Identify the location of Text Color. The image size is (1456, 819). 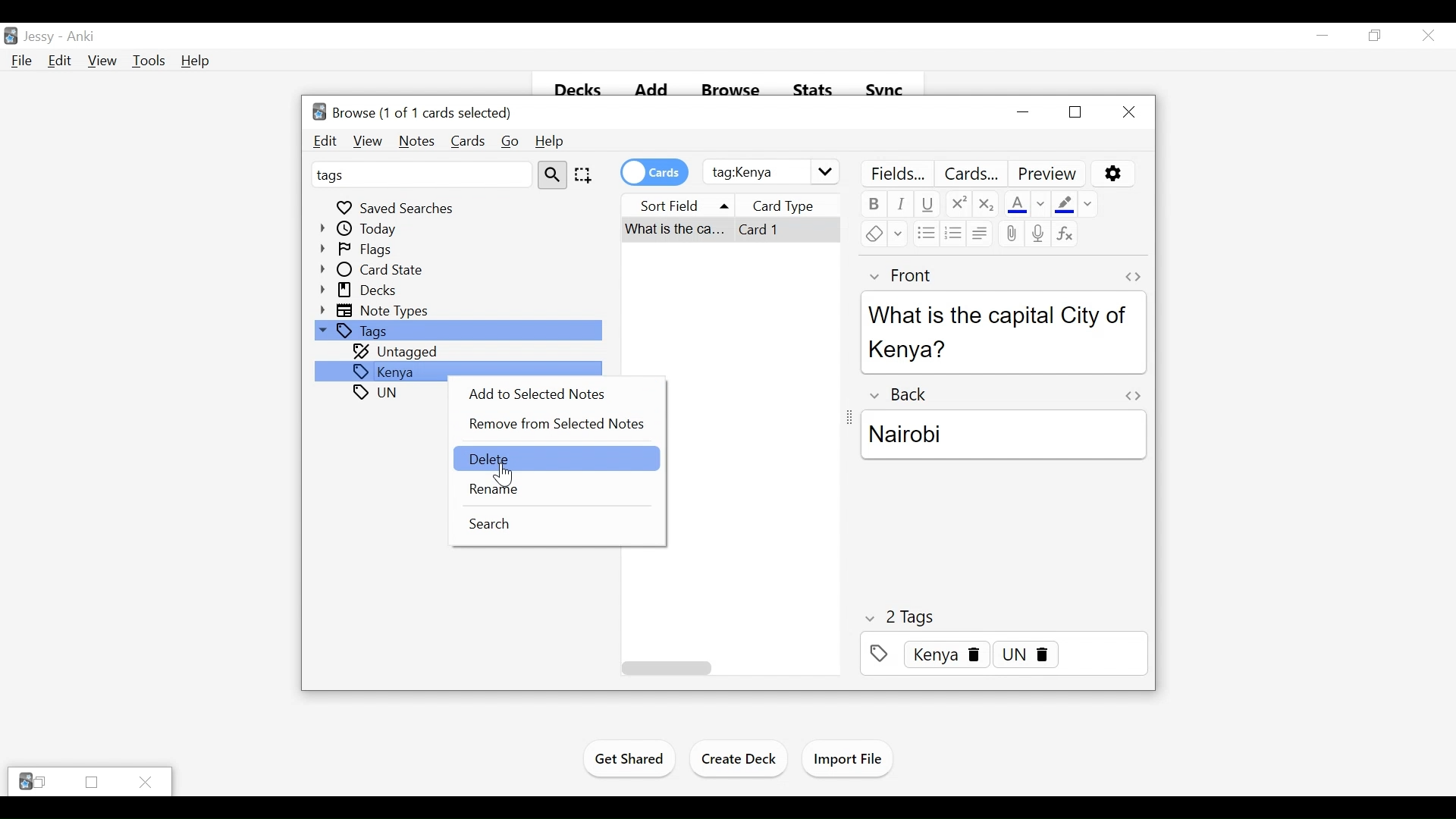
(1016, 202).